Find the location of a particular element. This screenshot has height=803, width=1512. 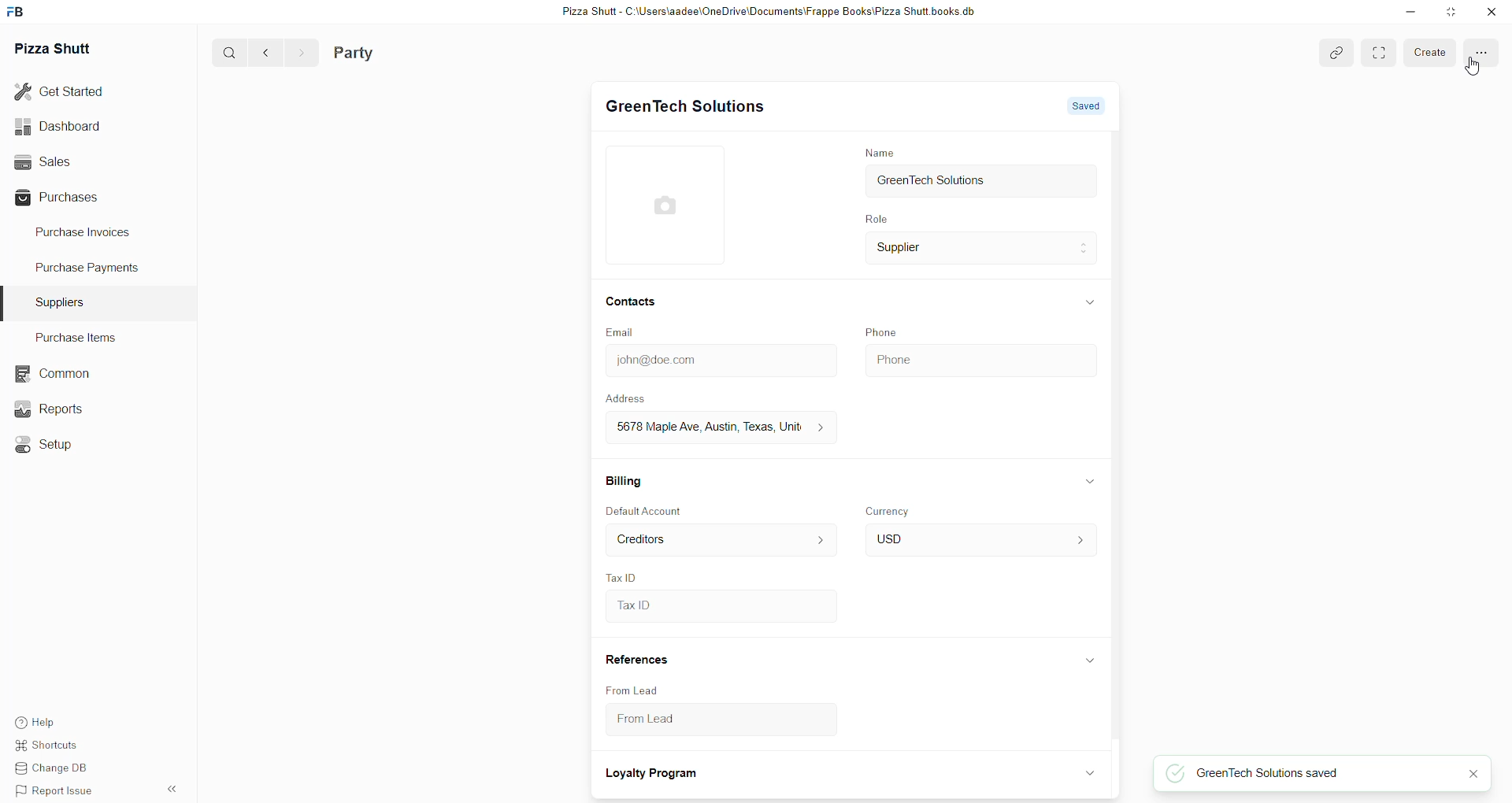

Address is located at coordinates (636, 398).